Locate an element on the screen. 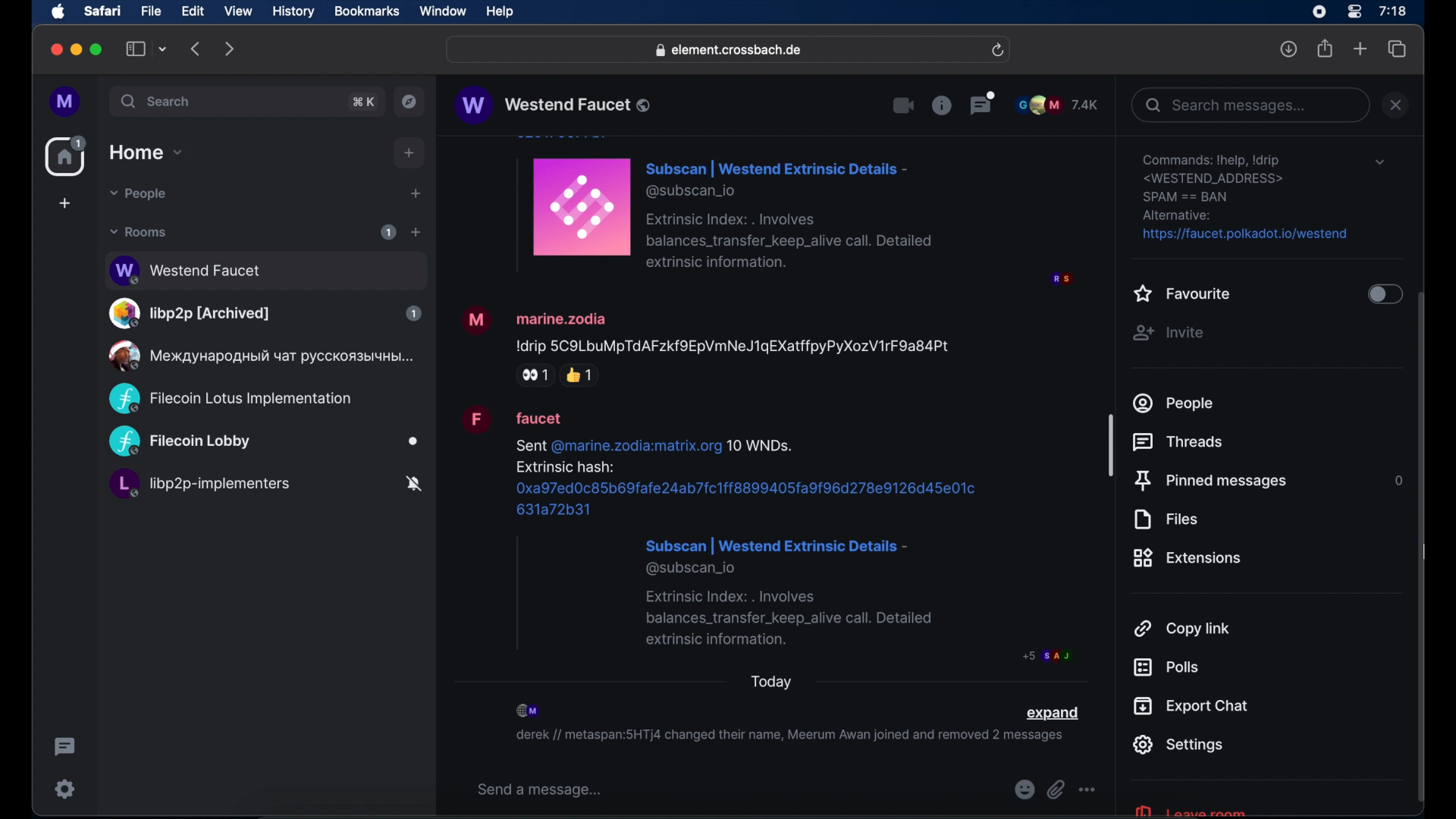  control center is located at coordinates (1353, 12).